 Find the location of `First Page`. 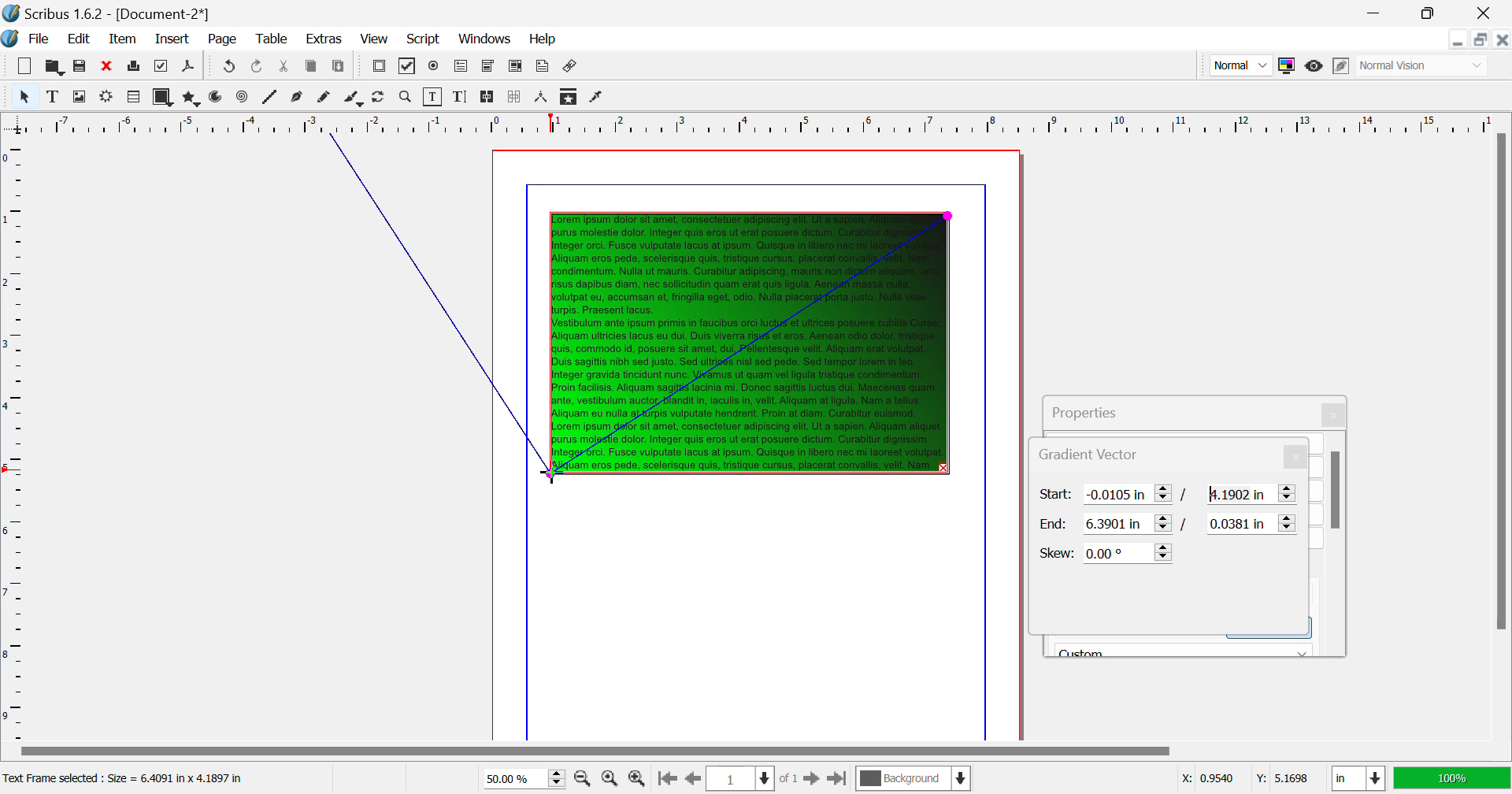

First Page is located at coordinates (665, 780).